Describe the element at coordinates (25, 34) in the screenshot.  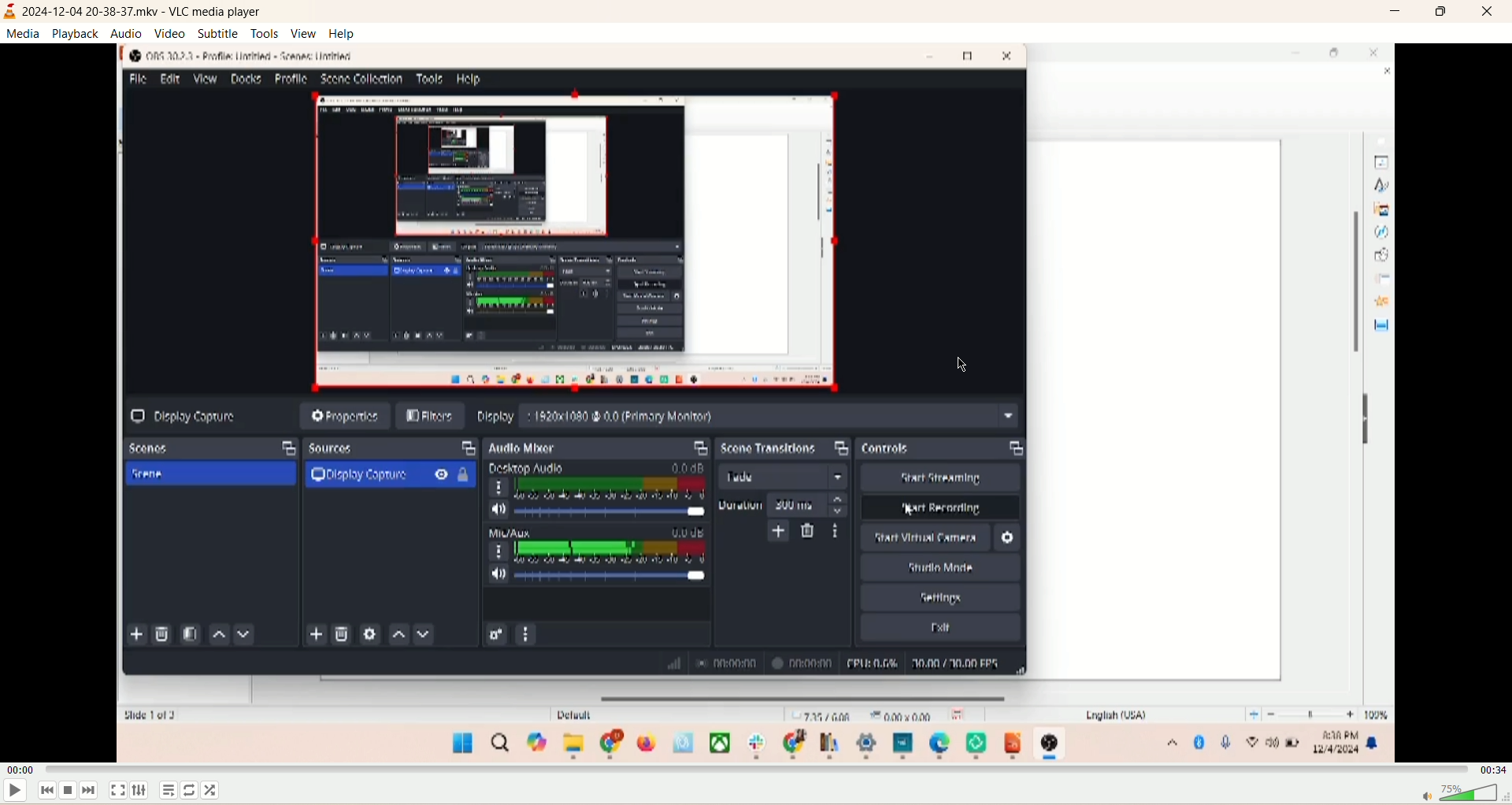
I see `media` at that location.